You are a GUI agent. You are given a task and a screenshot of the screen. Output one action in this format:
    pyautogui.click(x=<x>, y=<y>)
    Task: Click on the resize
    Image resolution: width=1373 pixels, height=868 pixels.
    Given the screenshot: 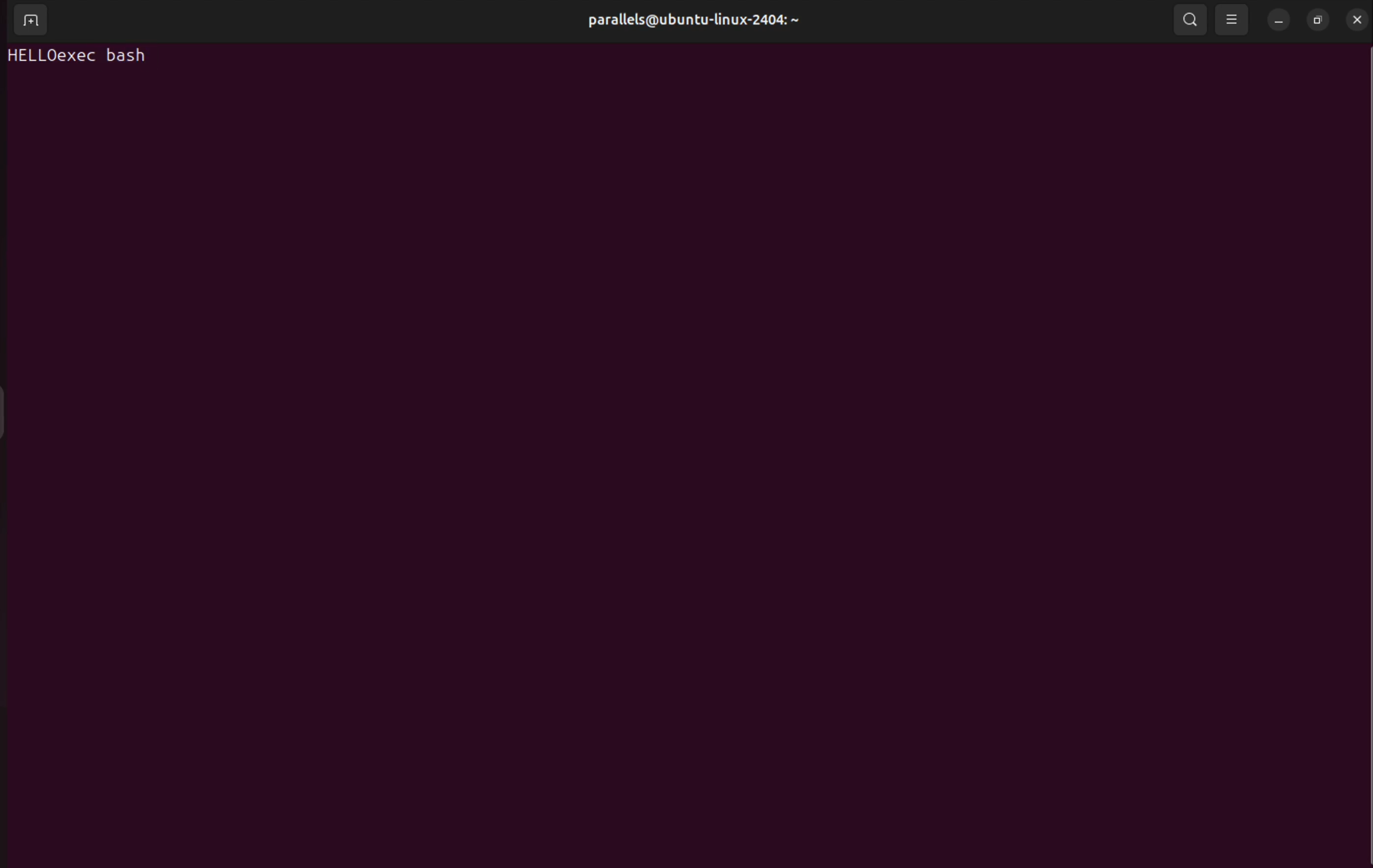 What is the action you would take?
    pyautogui.click(x=1319, y=17)
    